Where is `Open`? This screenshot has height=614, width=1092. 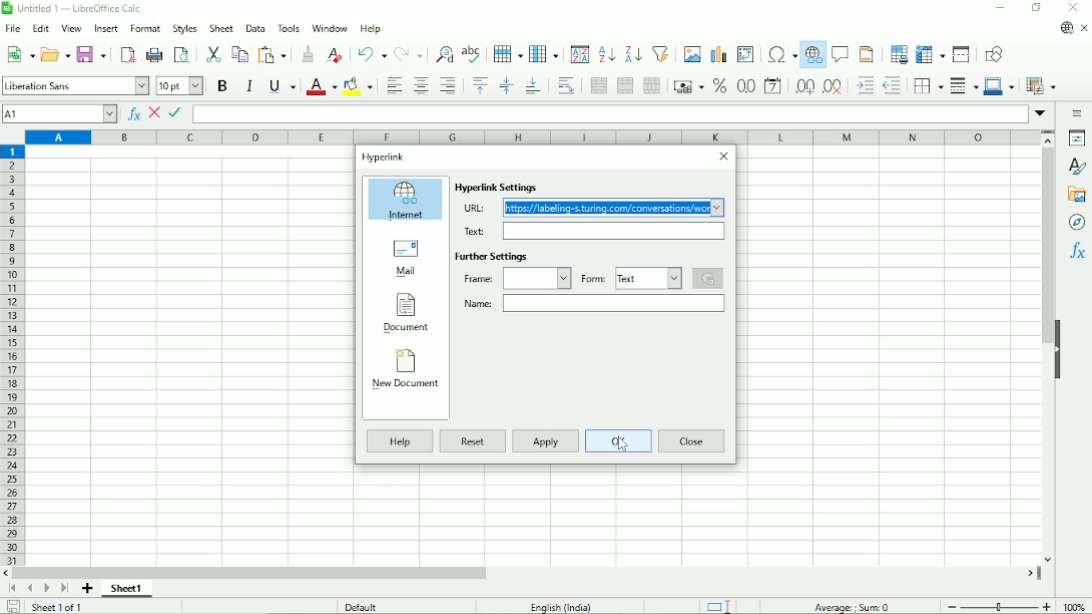 Open is located at coordinates (55, 53).